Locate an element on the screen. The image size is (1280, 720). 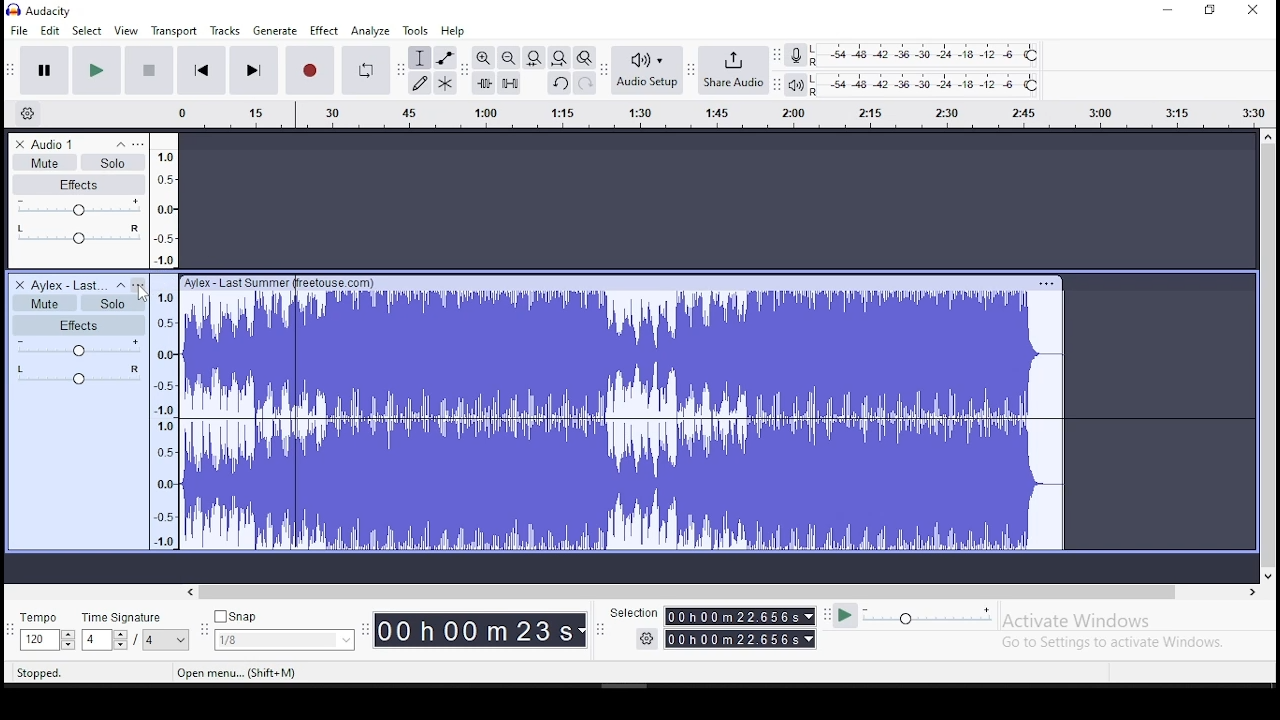
fit selection to width is located at coordinates (533, 58).